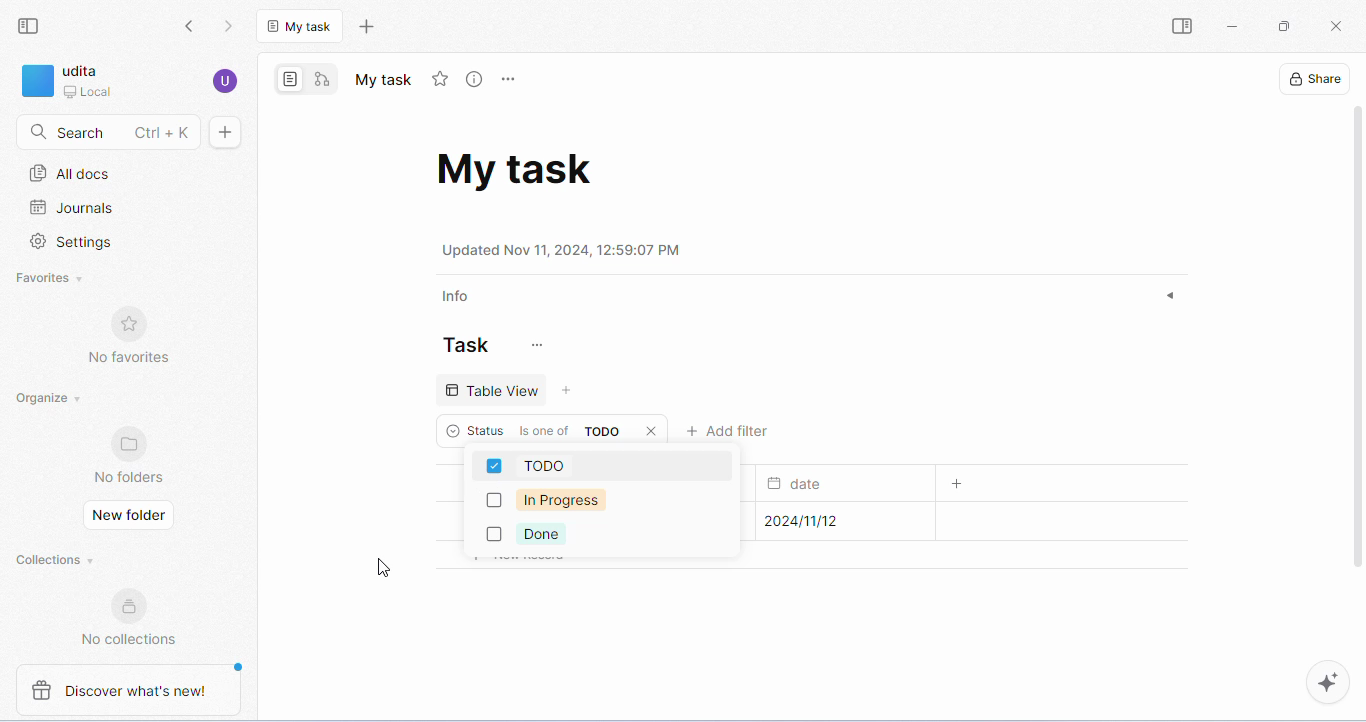  I want to click on close, so click(650, 431).